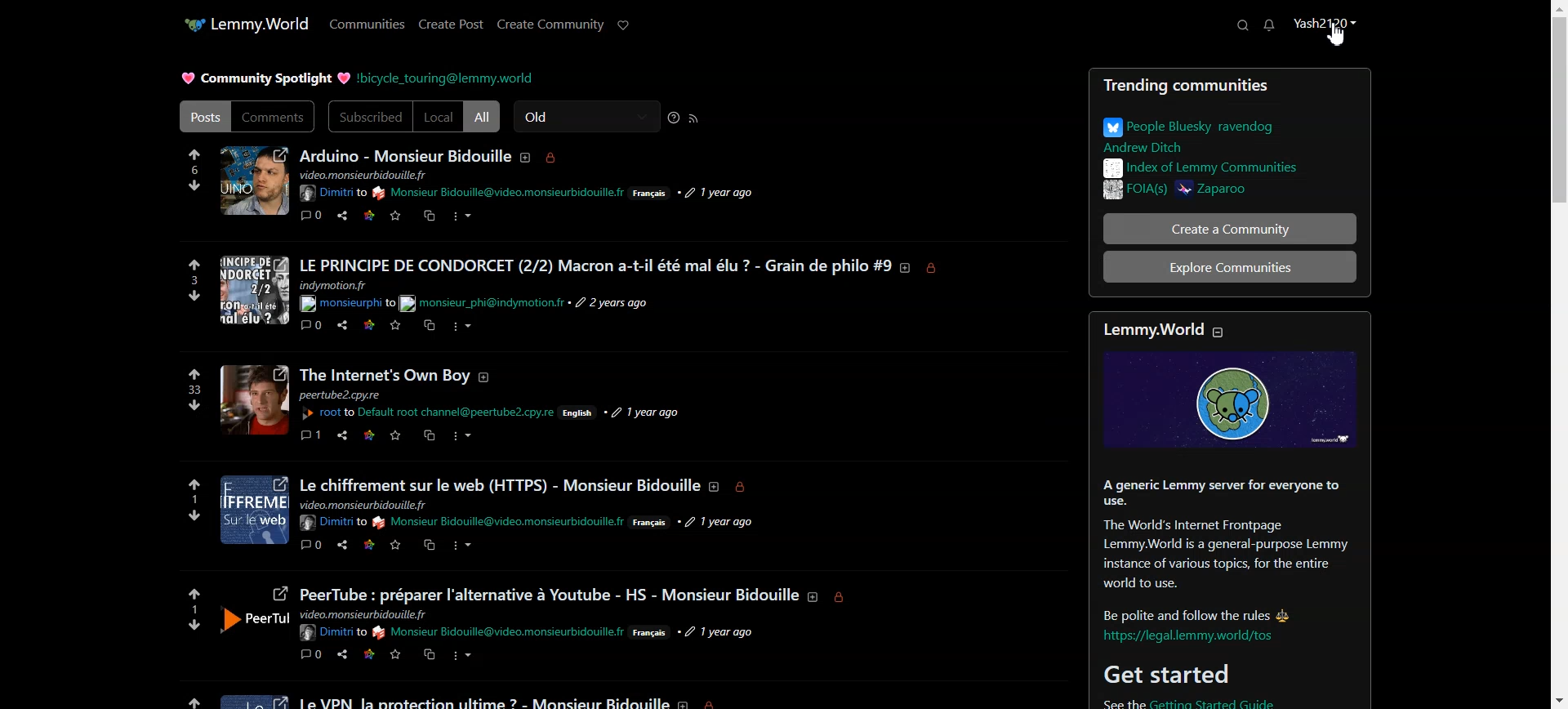 This screenshot has width=1568, height=709. What do you see at coordinates (615, 303) in the screenshot?
I see `time posted` at bounding box center [615, 303].